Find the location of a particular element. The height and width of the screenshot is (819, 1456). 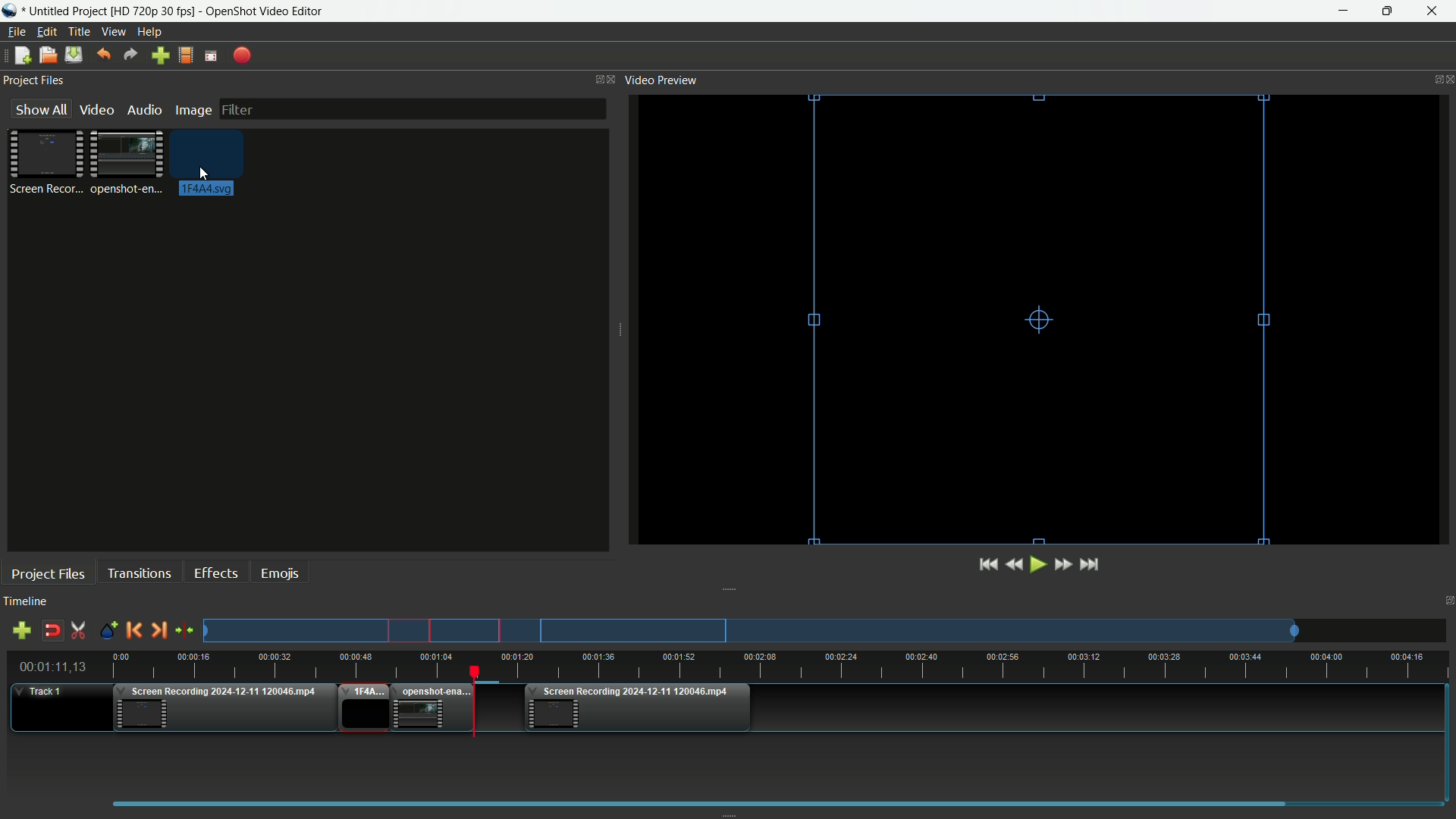

App name is located at coordinates (266, 12).